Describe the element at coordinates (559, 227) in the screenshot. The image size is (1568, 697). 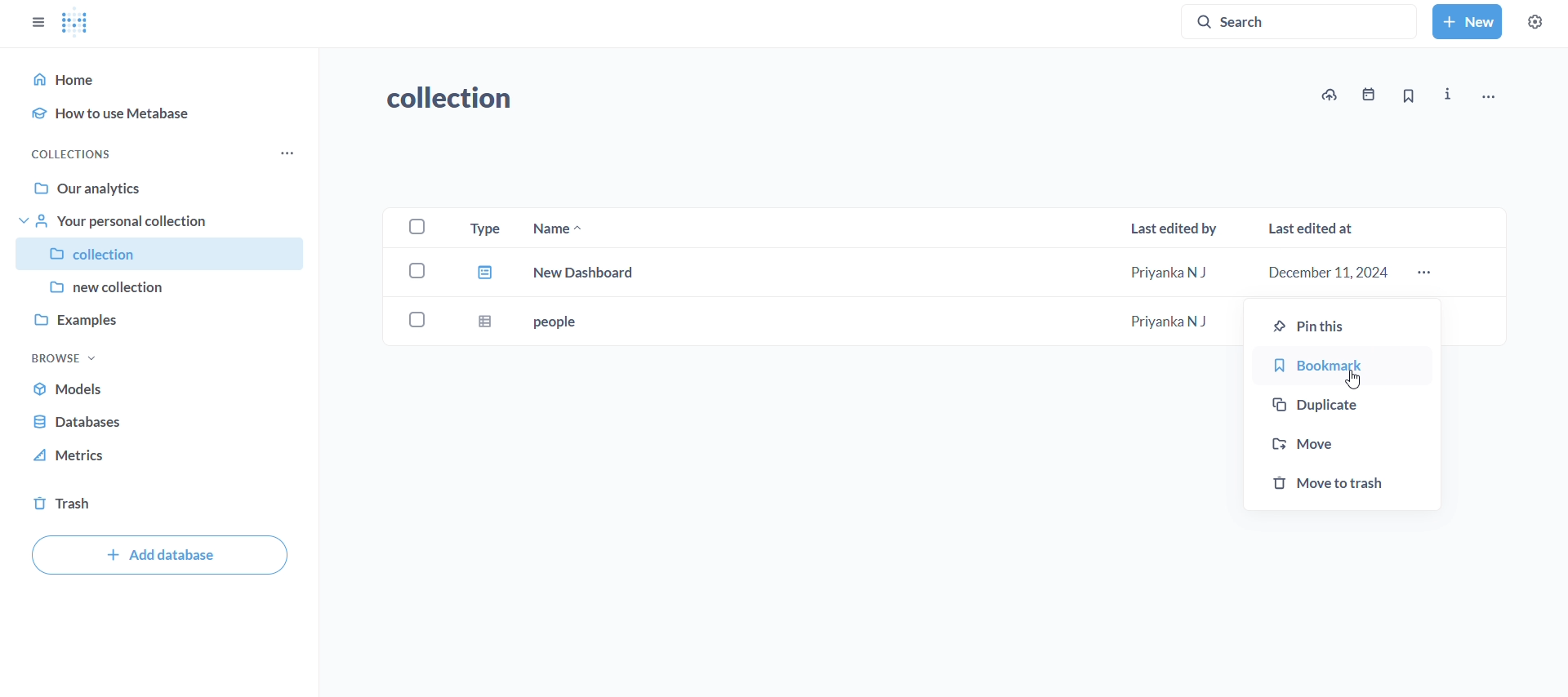
I see `name` at that location.